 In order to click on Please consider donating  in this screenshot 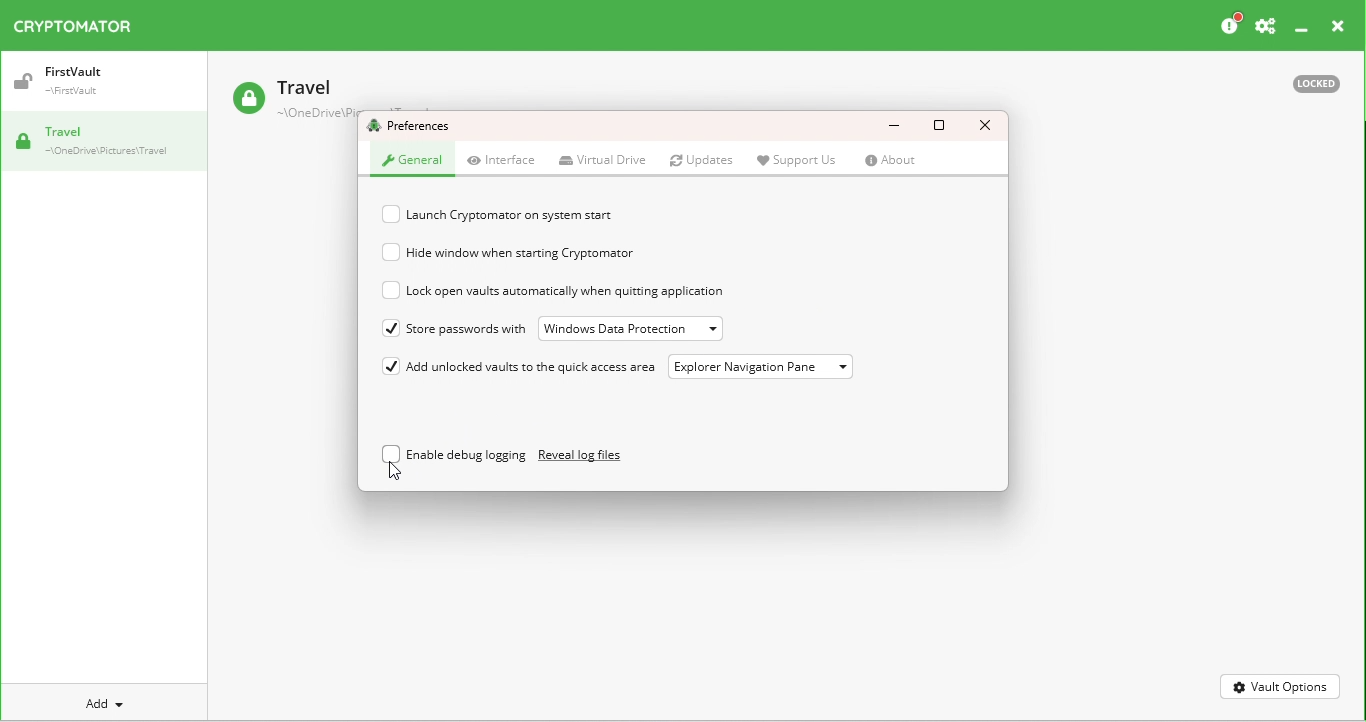, I will do `click(1232, 24)`.